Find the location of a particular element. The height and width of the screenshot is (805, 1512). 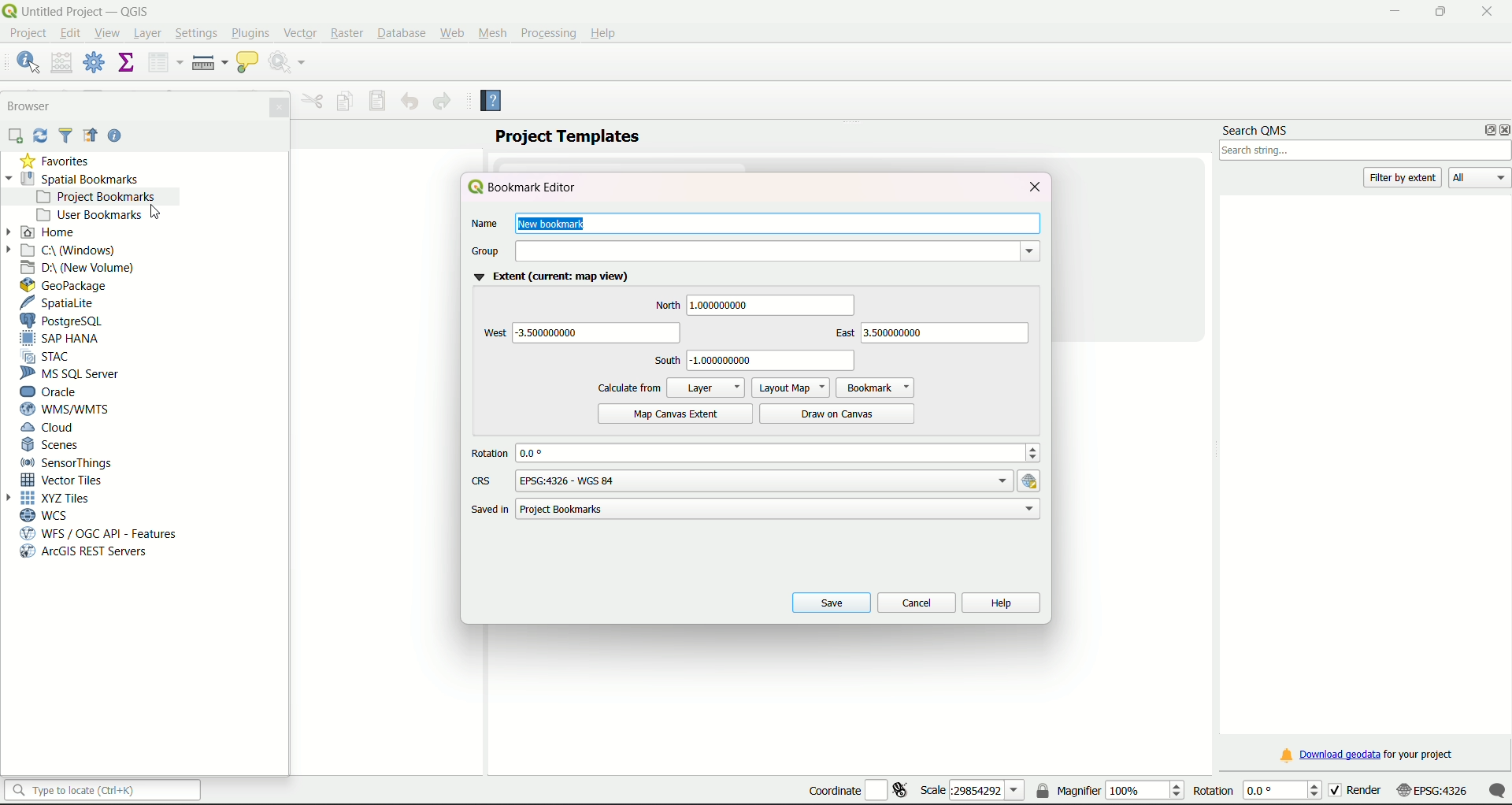

GeoPackage is located at coordinates (65, 286).